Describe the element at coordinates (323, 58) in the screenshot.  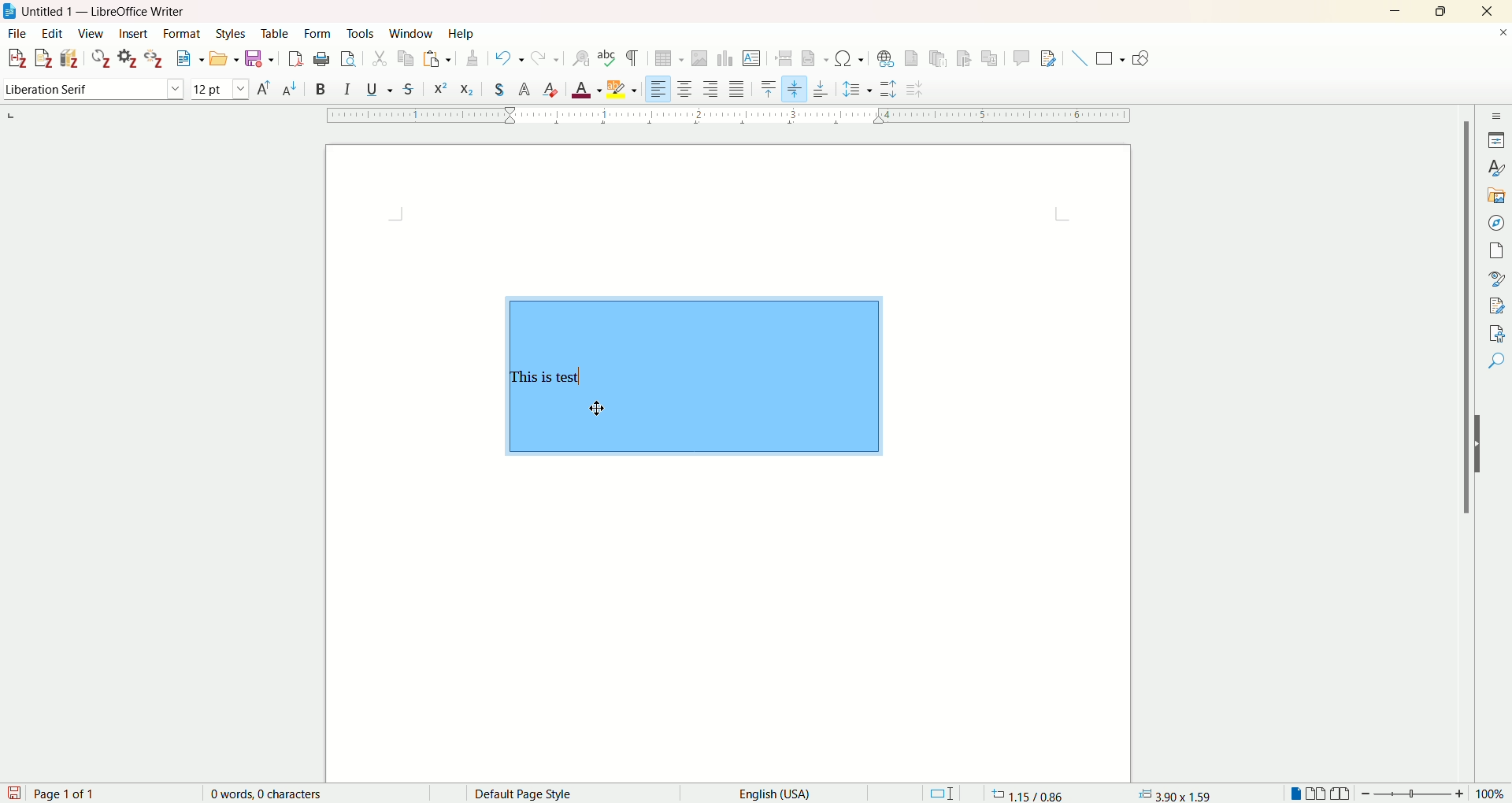
I see `print` at that location.